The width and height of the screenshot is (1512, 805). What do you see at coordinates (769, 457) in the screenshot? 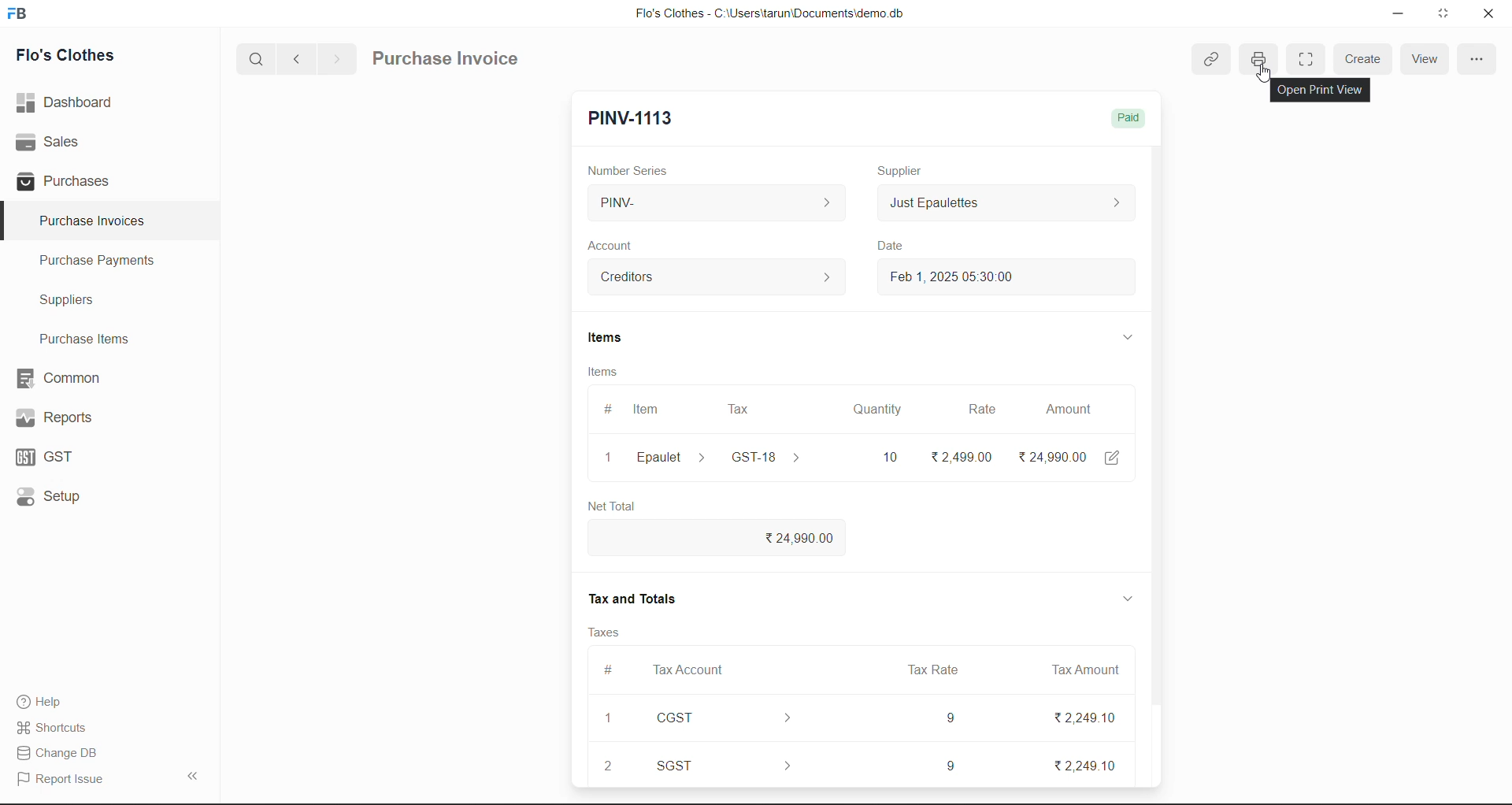
I see `GST-18` at bounding box center [769, 457].